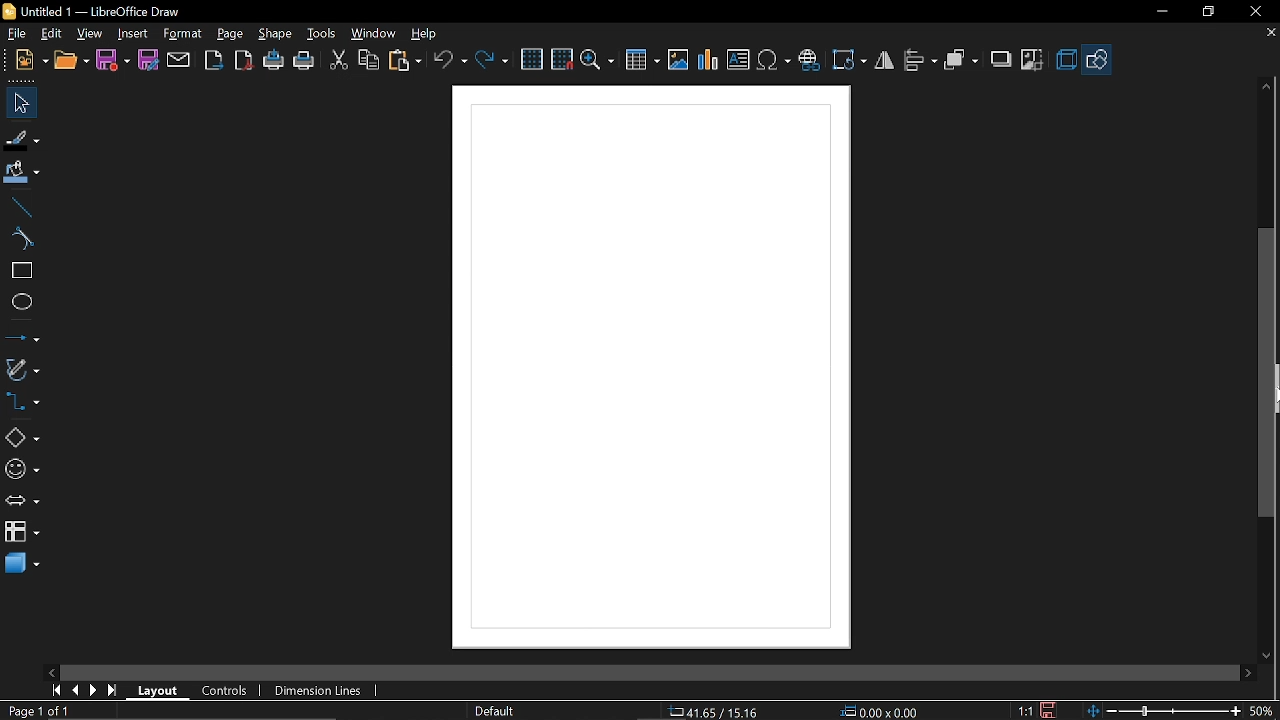  What do you see at coordinates (450, 61) in the screenshot?
I see `undo` at bounding box center [450, 61].